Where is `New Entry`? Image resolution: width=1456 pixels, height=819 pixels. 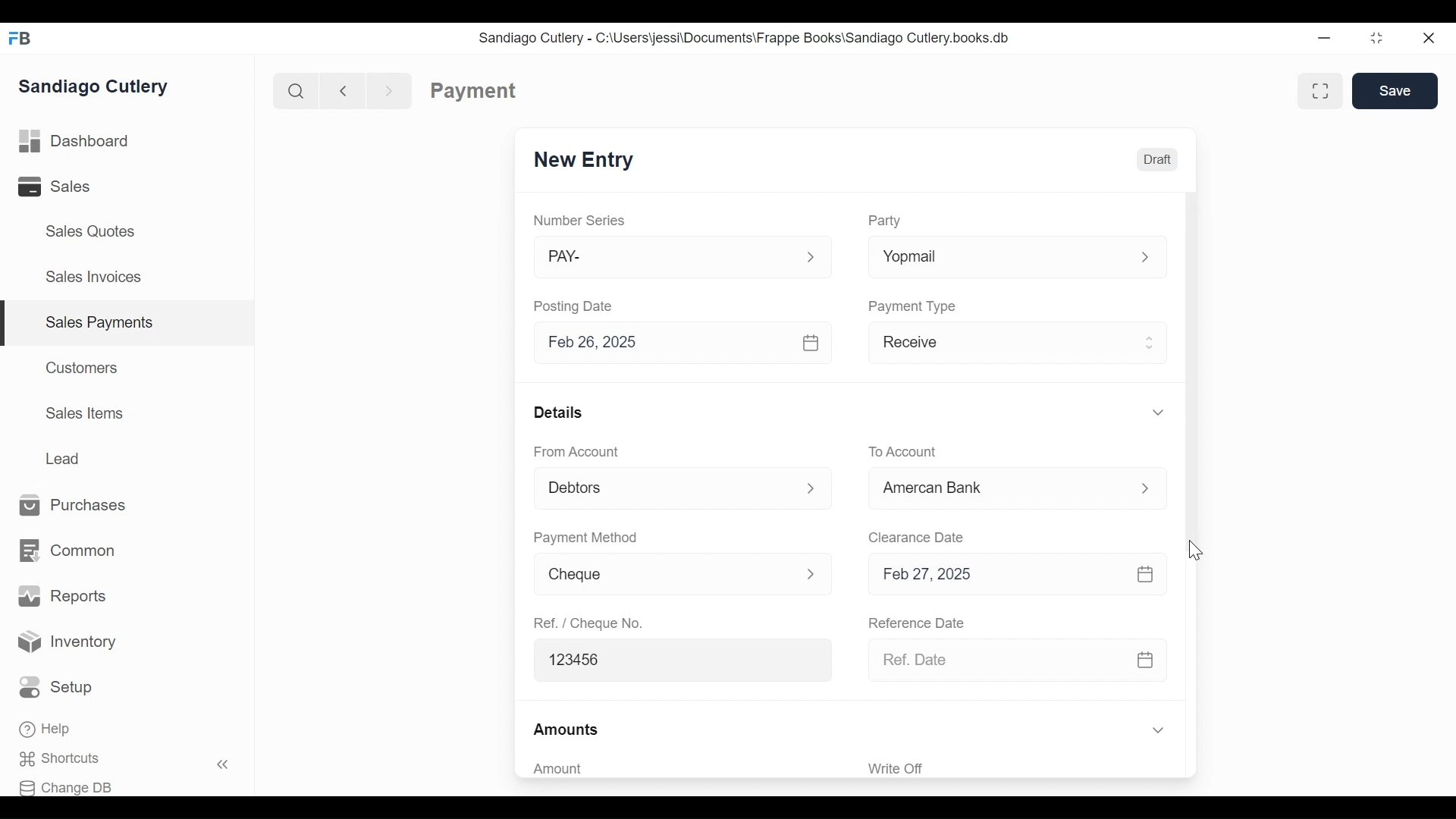 New Entry is located at coordinates (584, 161).